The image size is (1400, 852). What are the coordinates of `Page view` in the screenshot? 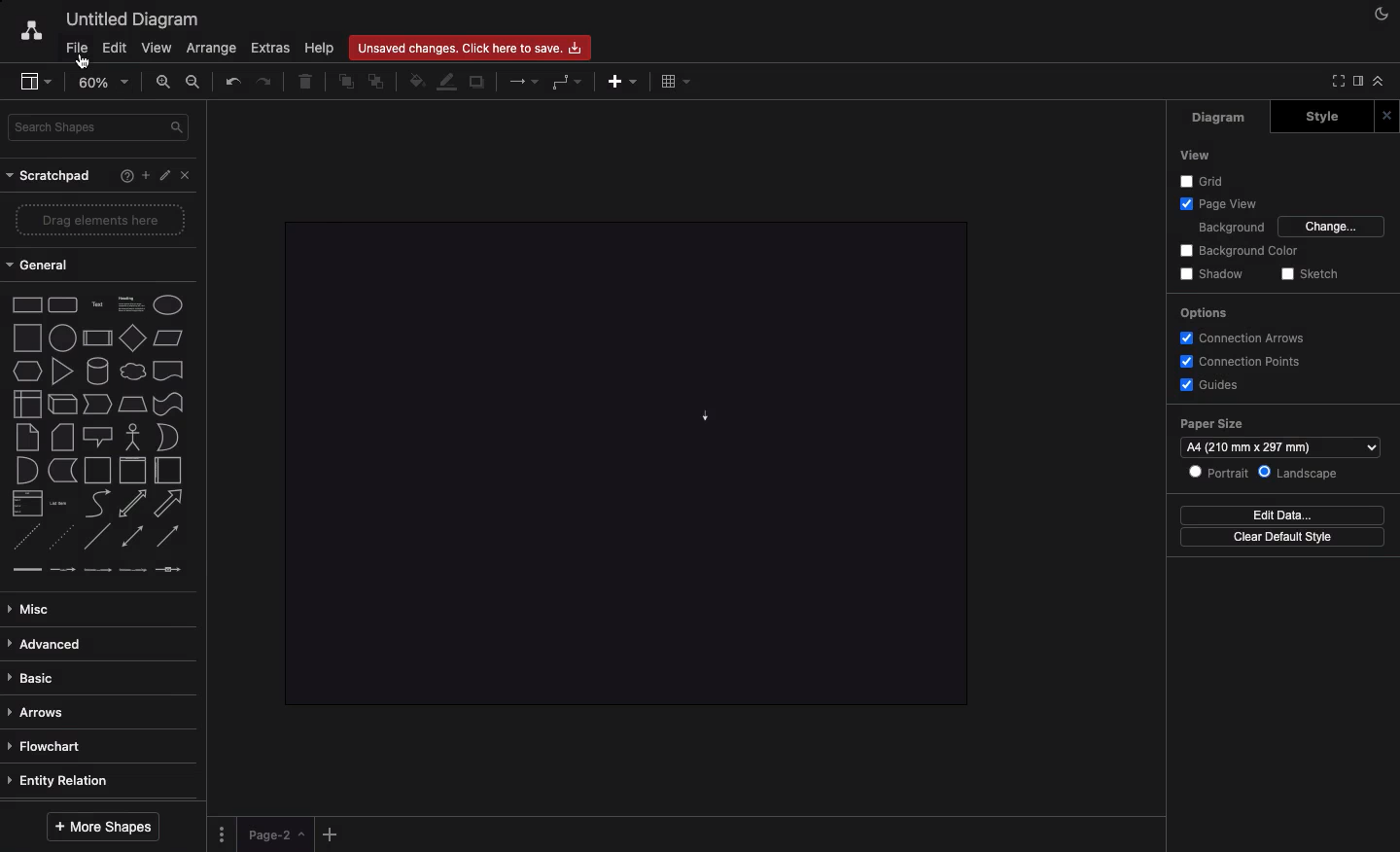 It's located at (1215, 202).